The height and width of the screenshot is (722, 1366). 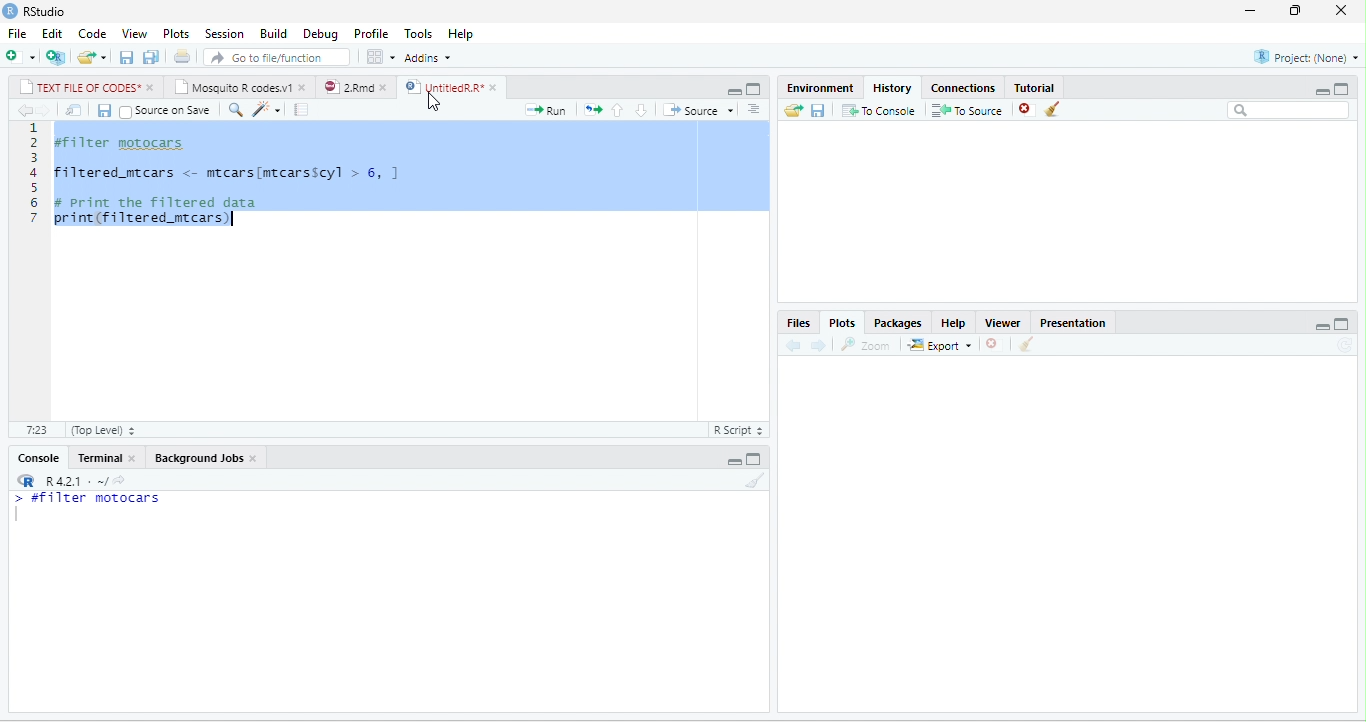 I want to click on > #filter motocars, so click(x=99, y=500).